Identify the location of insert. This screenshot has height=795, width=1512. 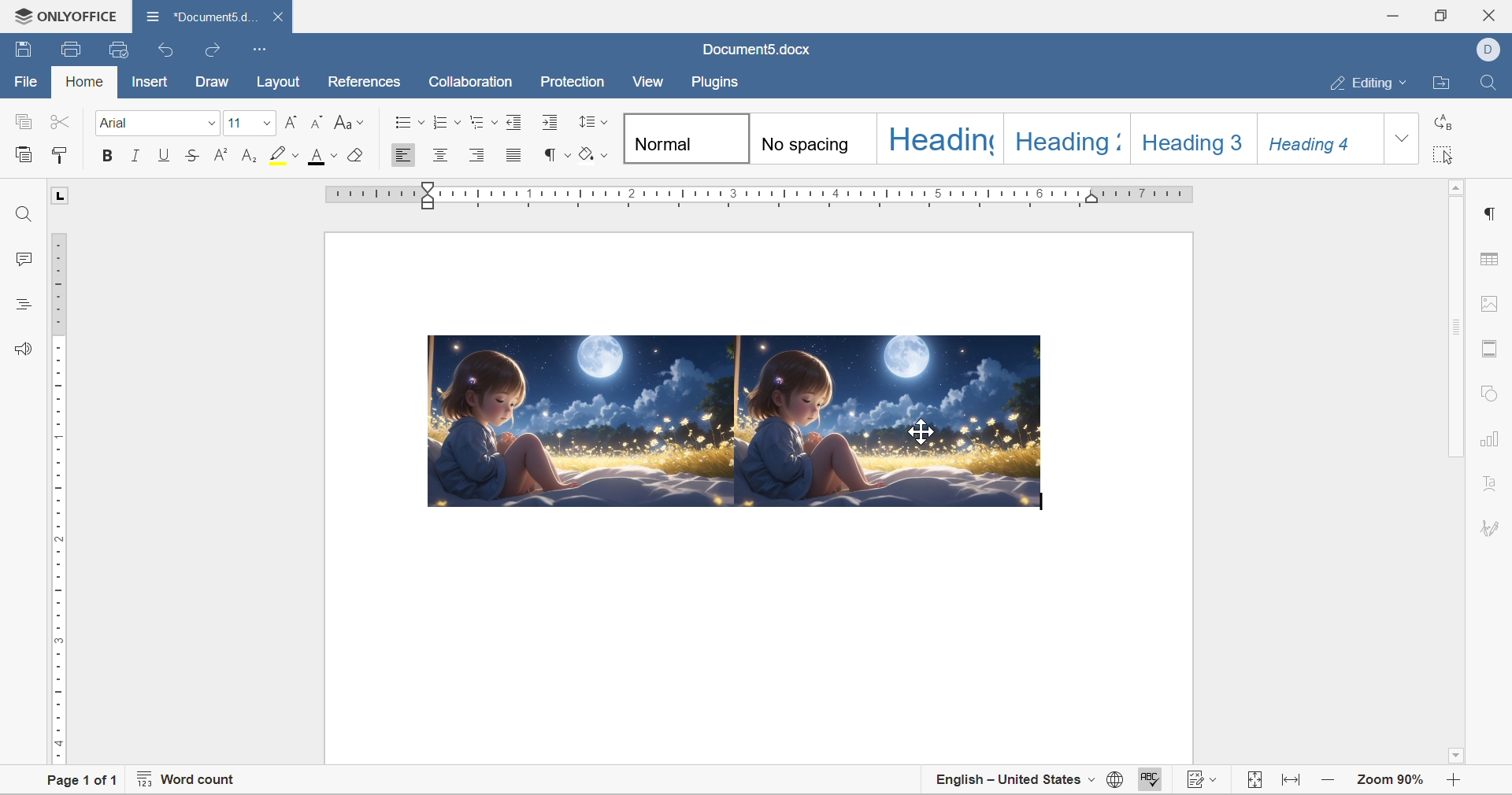
(150, 83).